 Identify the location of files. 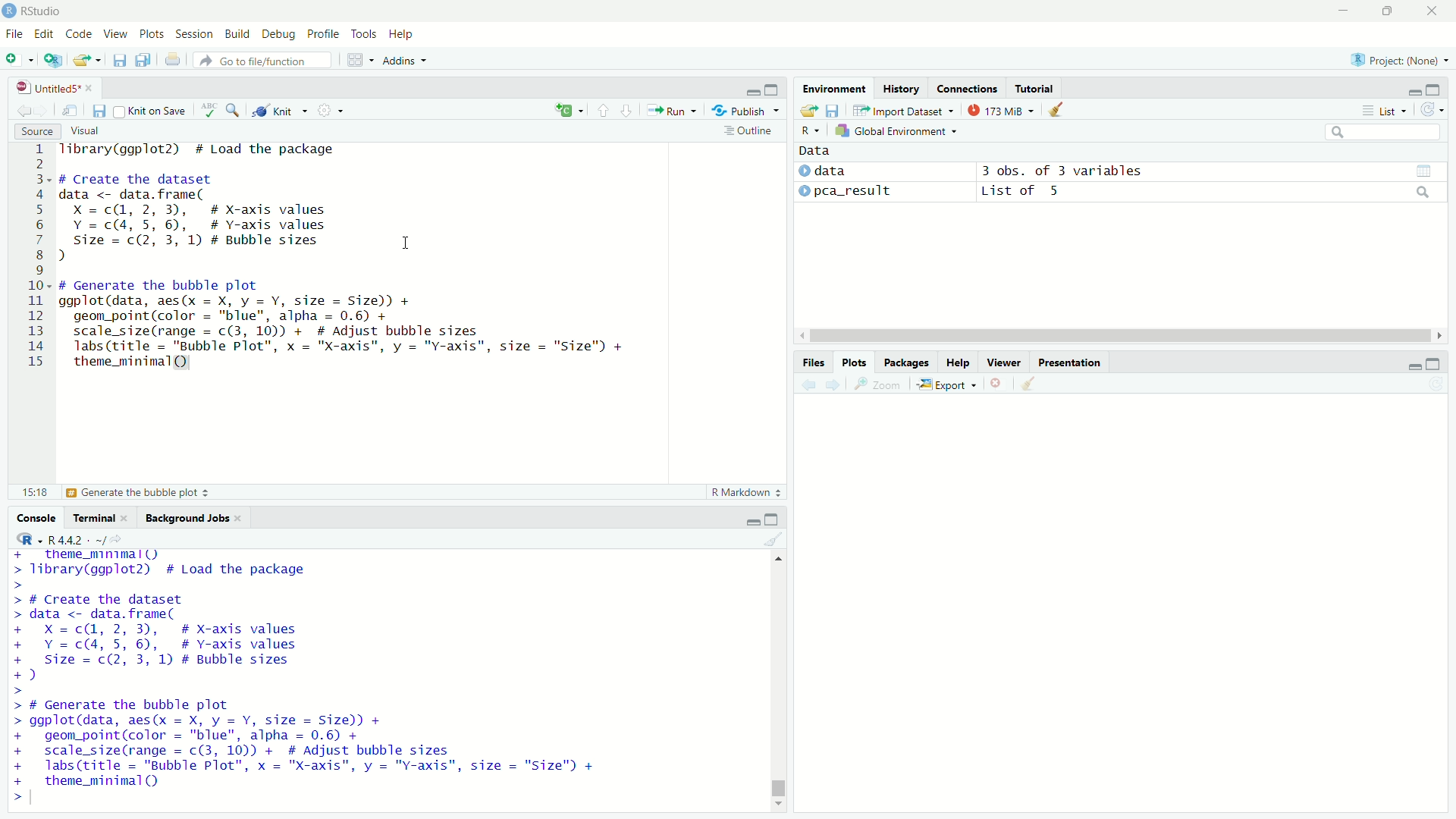
(815, 362).